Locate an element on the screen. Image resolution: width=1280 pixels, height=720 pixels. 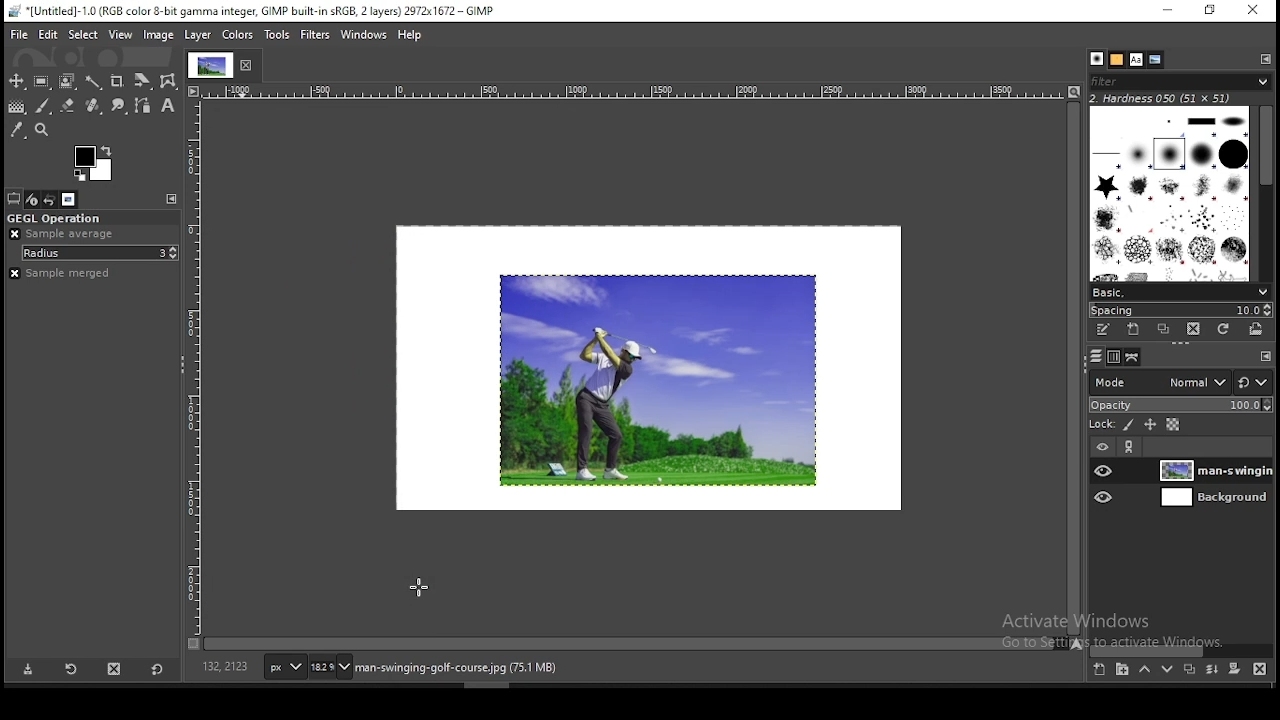
paths is located at coordinates (1136, 358).